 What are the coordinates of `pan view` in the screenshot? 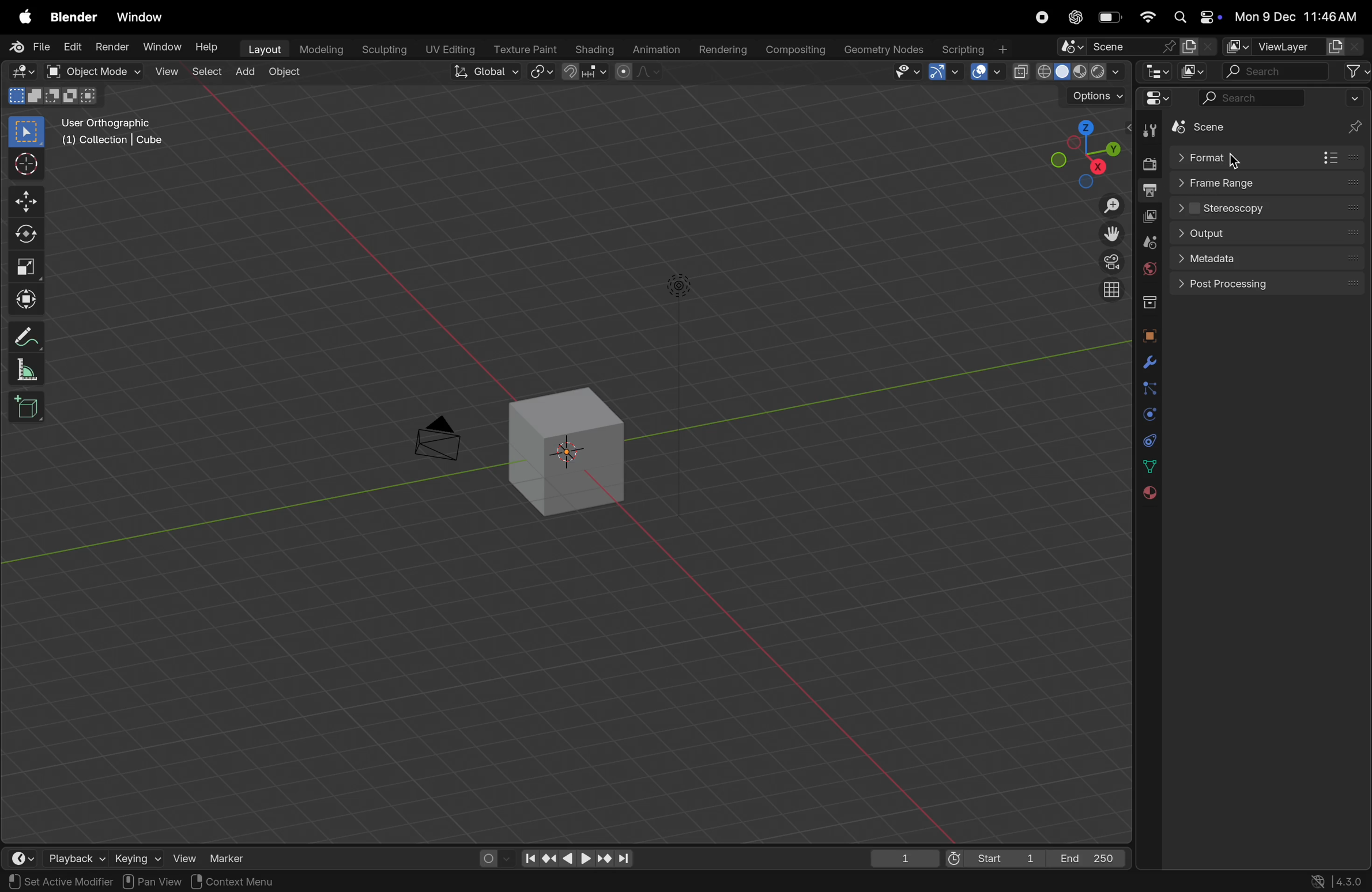 It's located at (35, 882).